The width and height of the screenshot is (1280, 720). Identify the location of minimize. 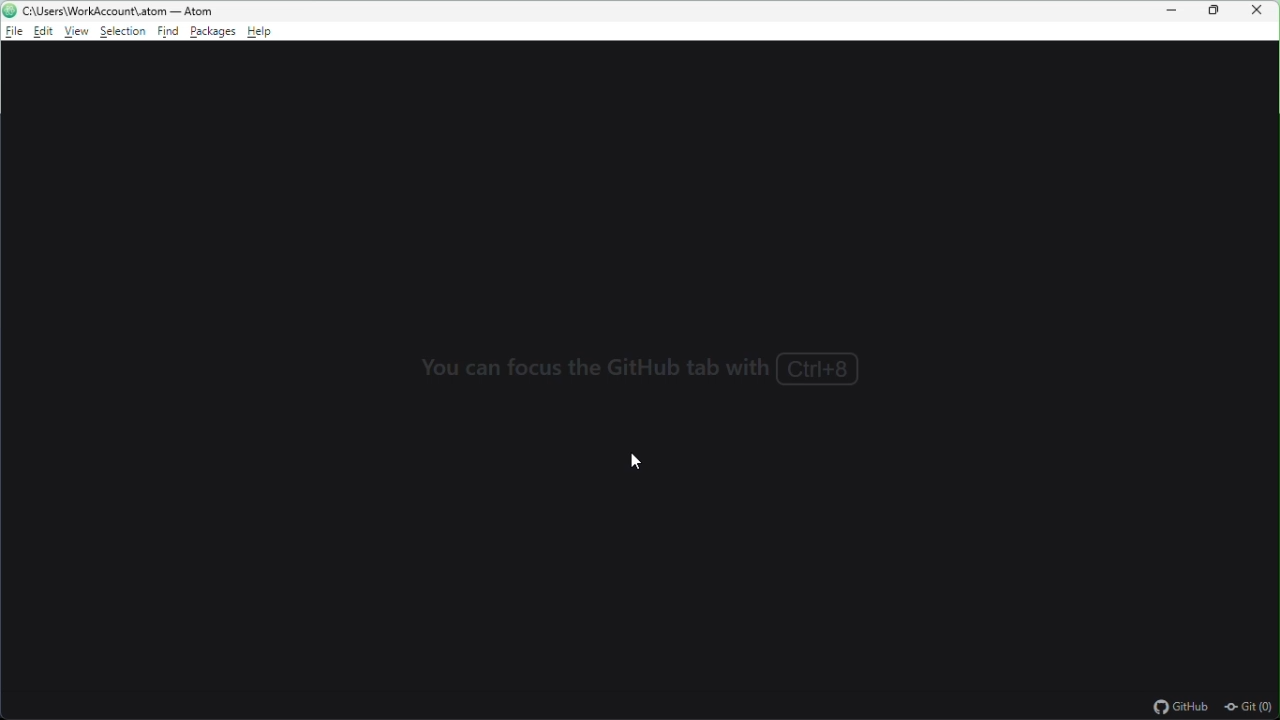
(1177, 11).